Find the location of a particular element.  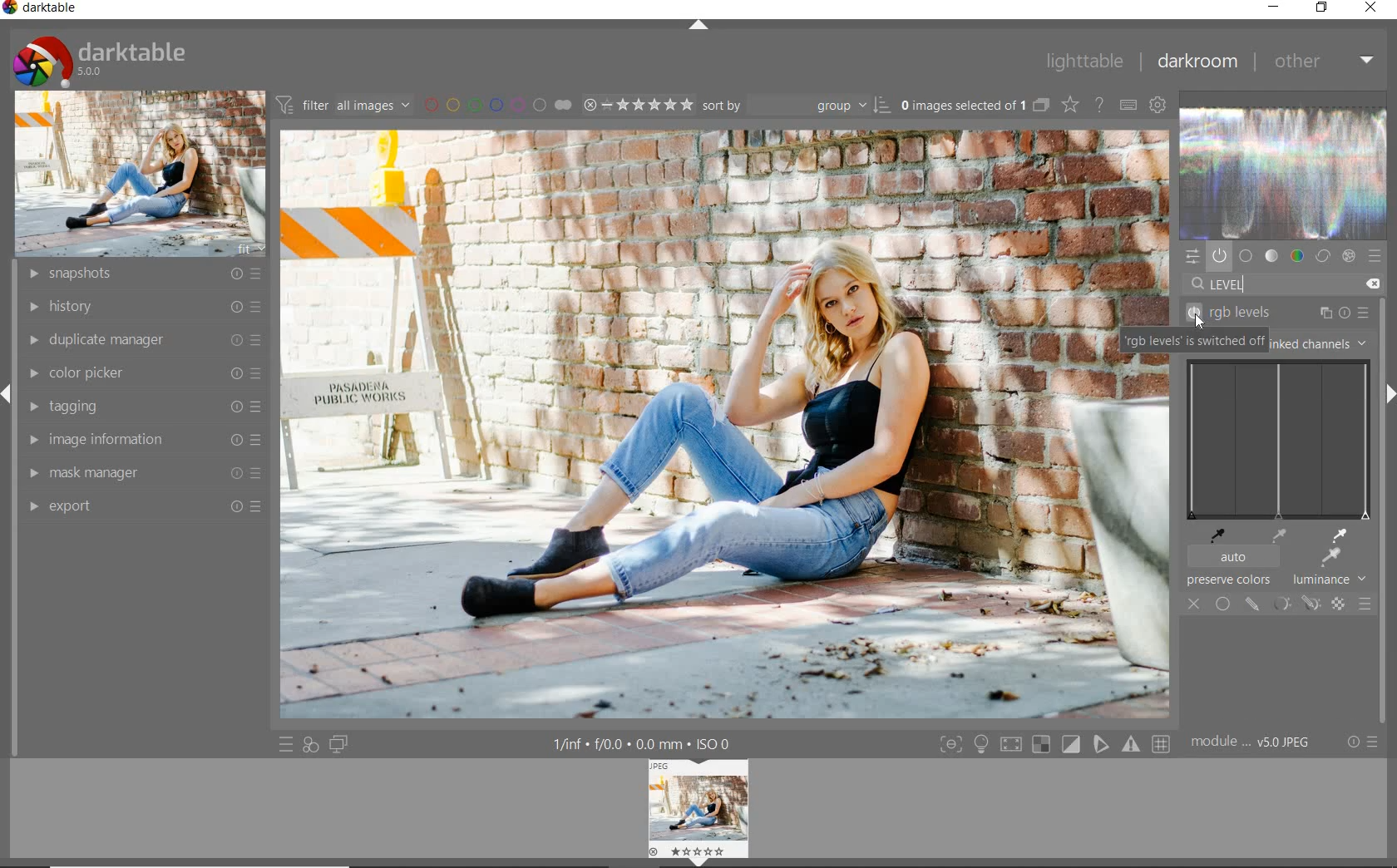

cursor is located at coordinates (1200, 323).